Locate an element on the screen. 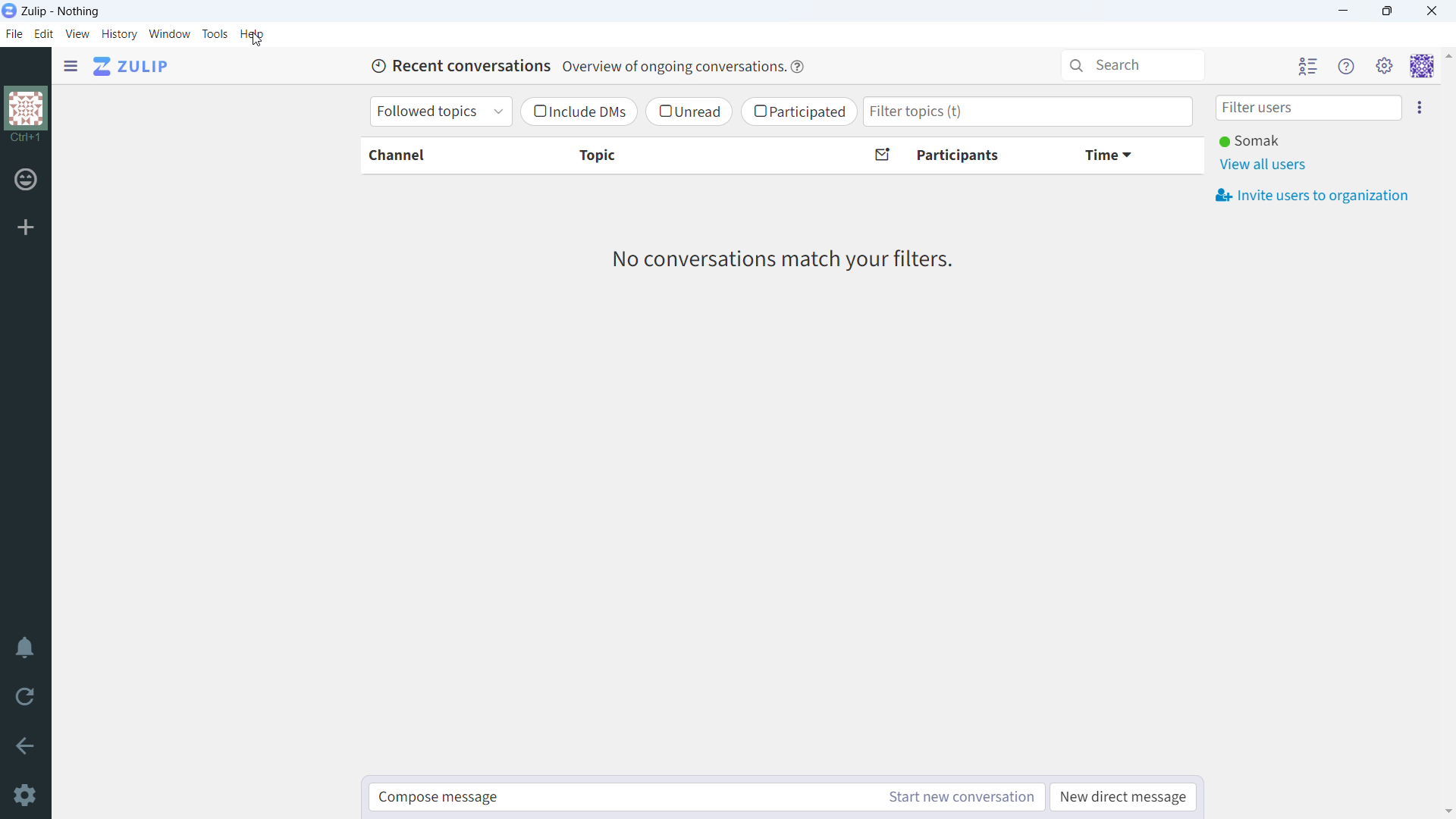 The image size is (1456, 819). filter topics is located at coordinates (1028, 111).